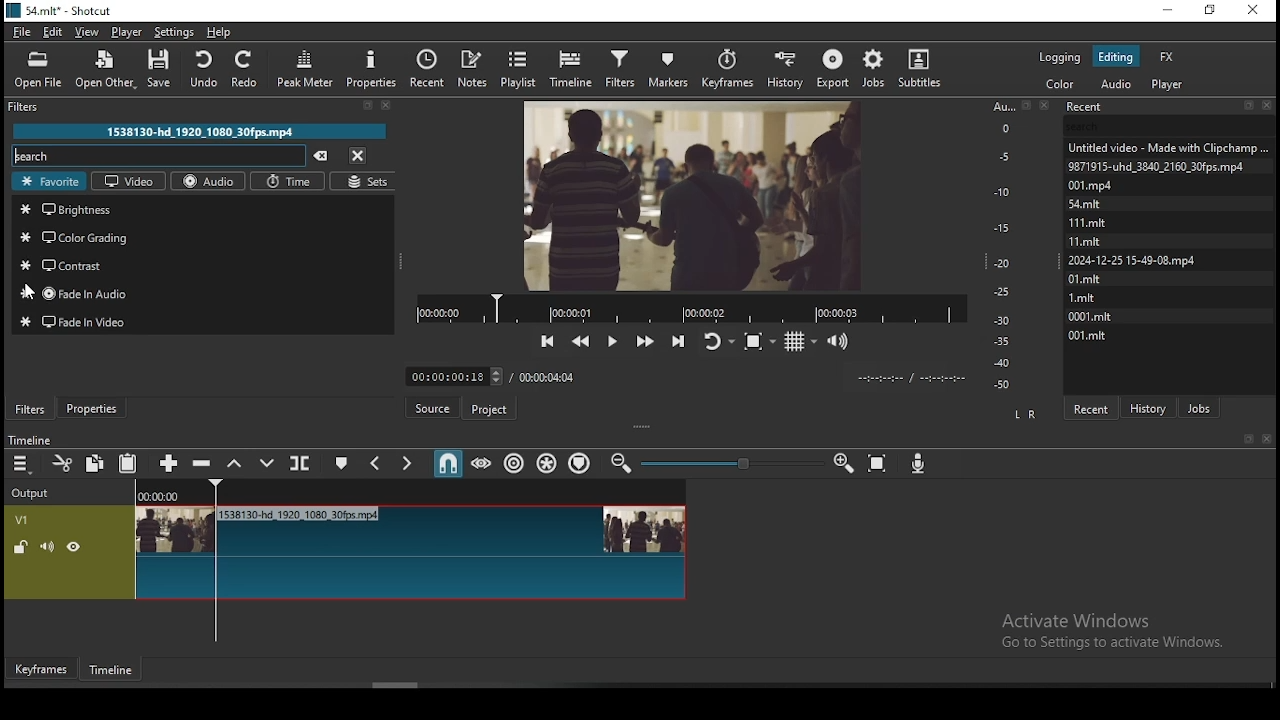 This screenshot has height=720, width=1280. Describe the element at coordinates (543, 340) in the screenshot. I see `skip to the previous point` at that location.